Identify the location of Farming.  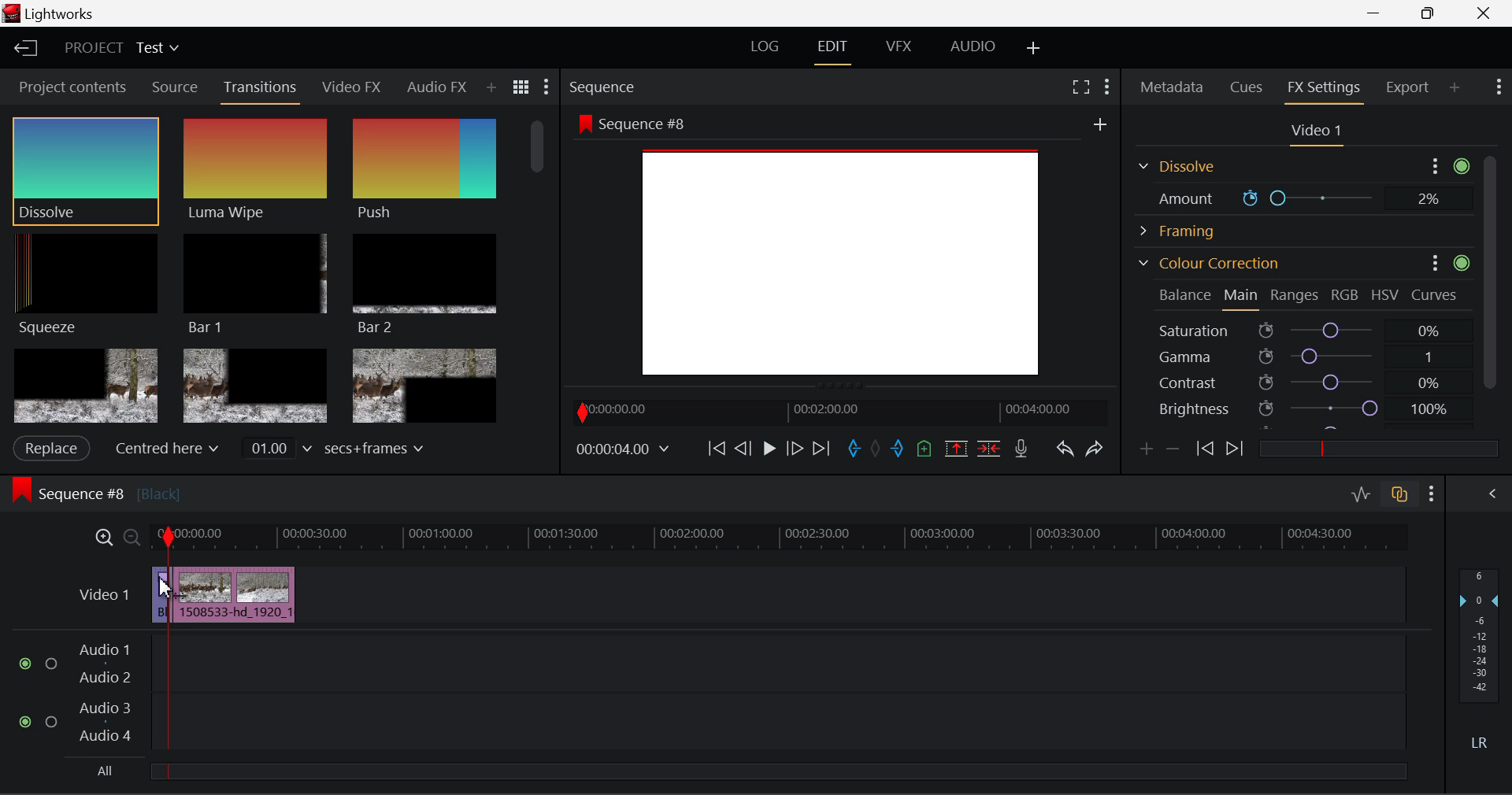
(1182, 231).